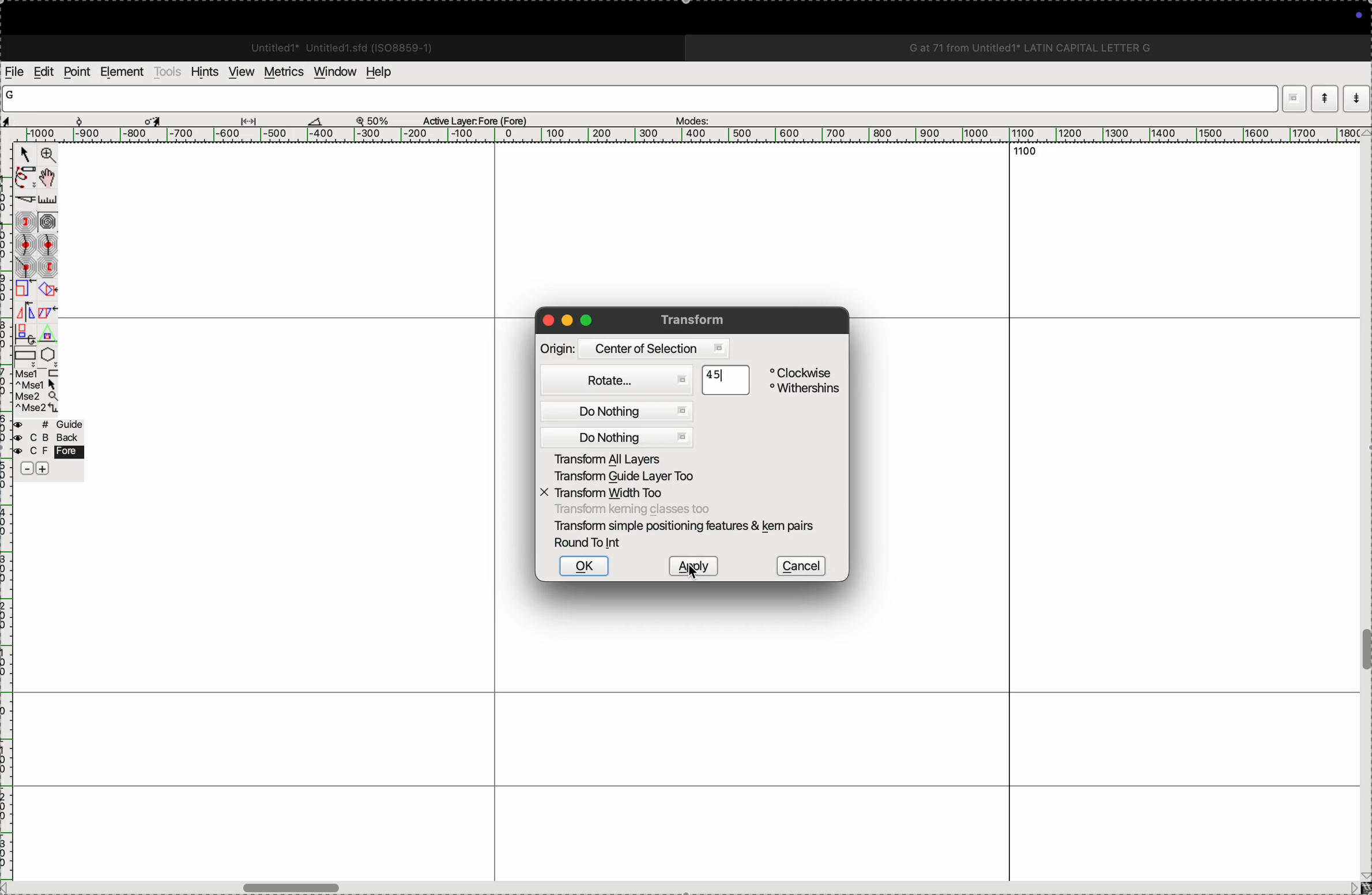  I want to click on Transform simple positioning features & kem pairs
Round To Int, so click(688, 535).